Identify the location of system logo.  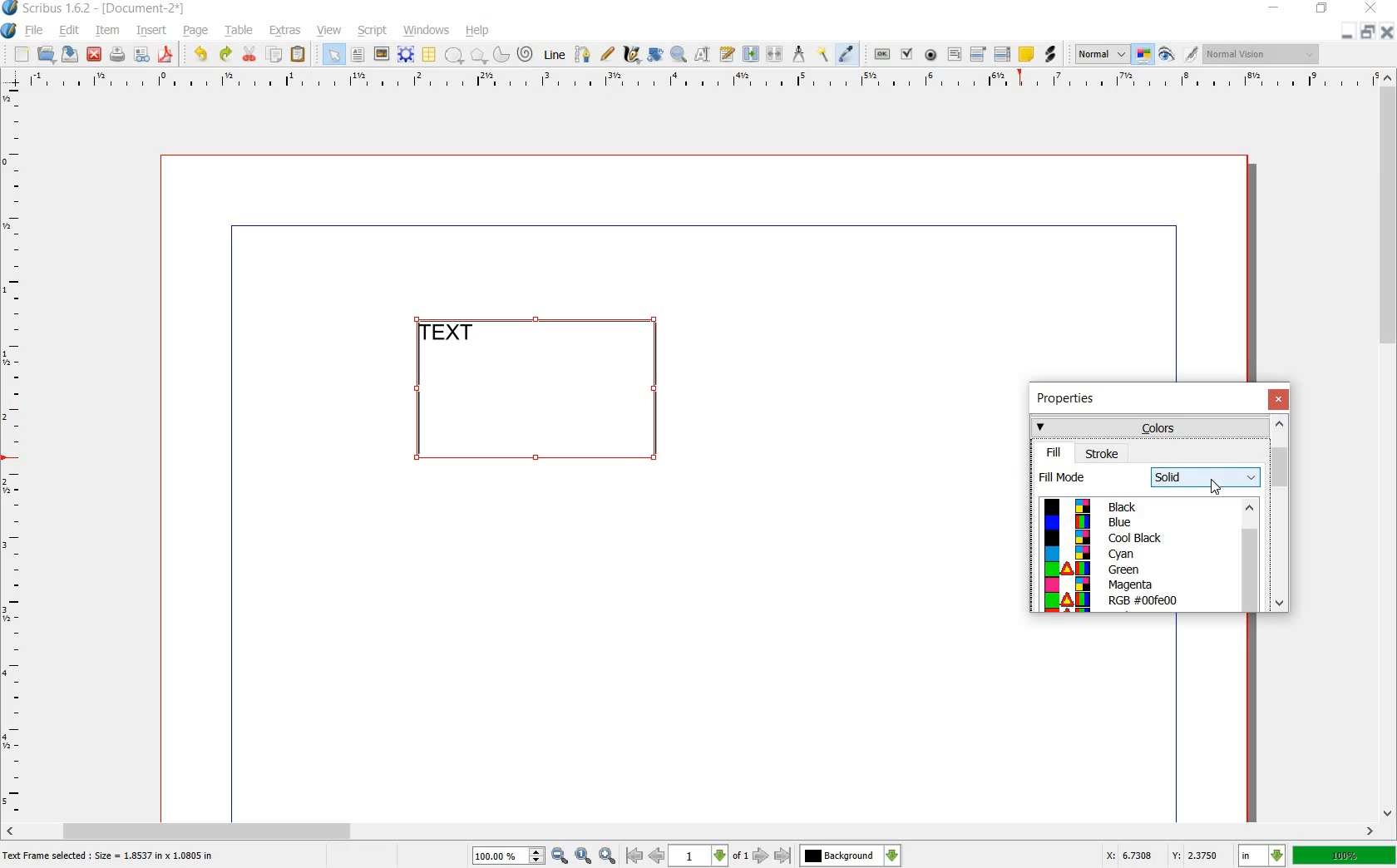
(8, 31).